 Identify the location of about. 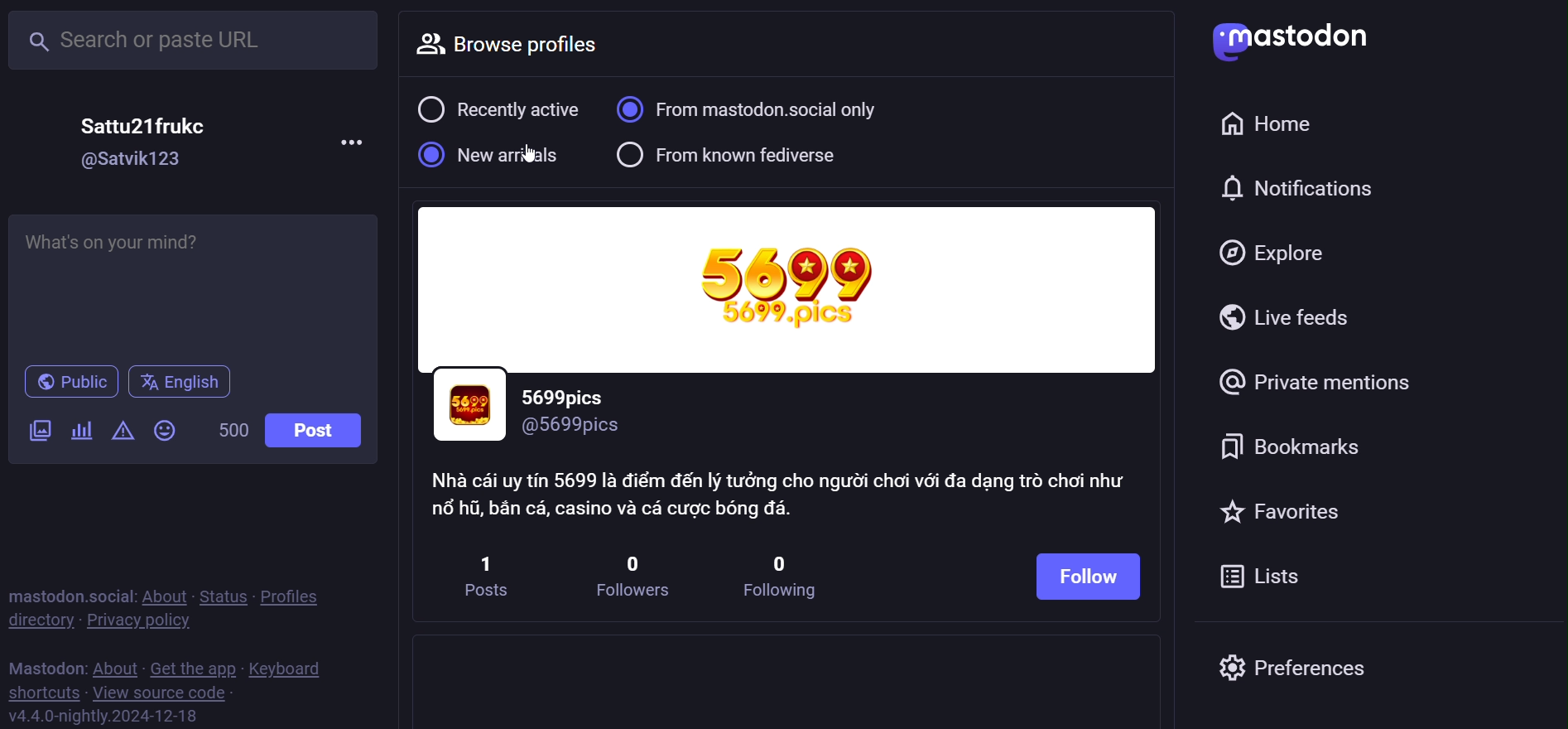
(116, 668).